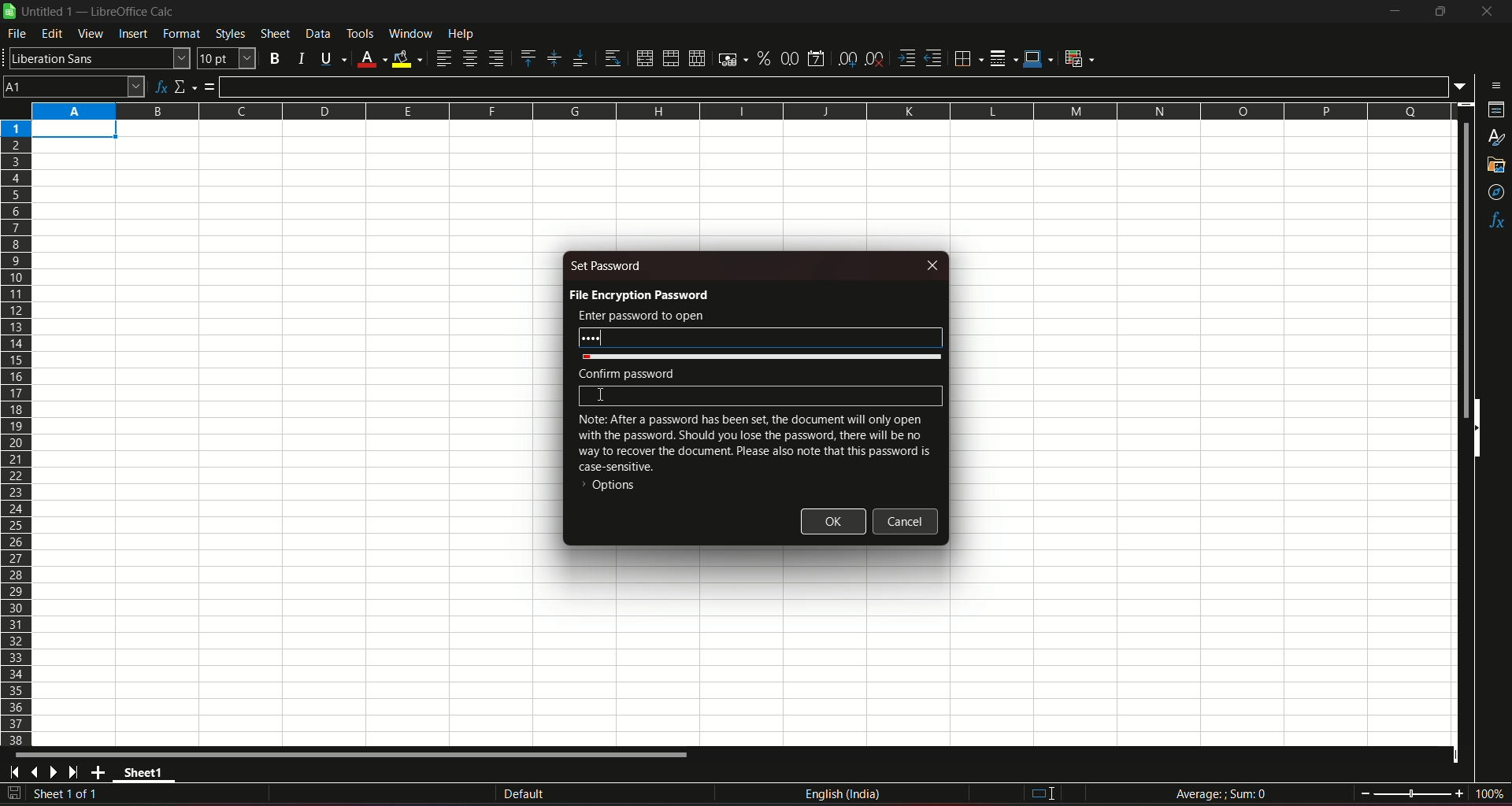 The height and width of the screenshot is (806, 1512). What do you see at coordinates (497, 59) in the screenshot?
I see `align right` at bounding box center [497, 59].